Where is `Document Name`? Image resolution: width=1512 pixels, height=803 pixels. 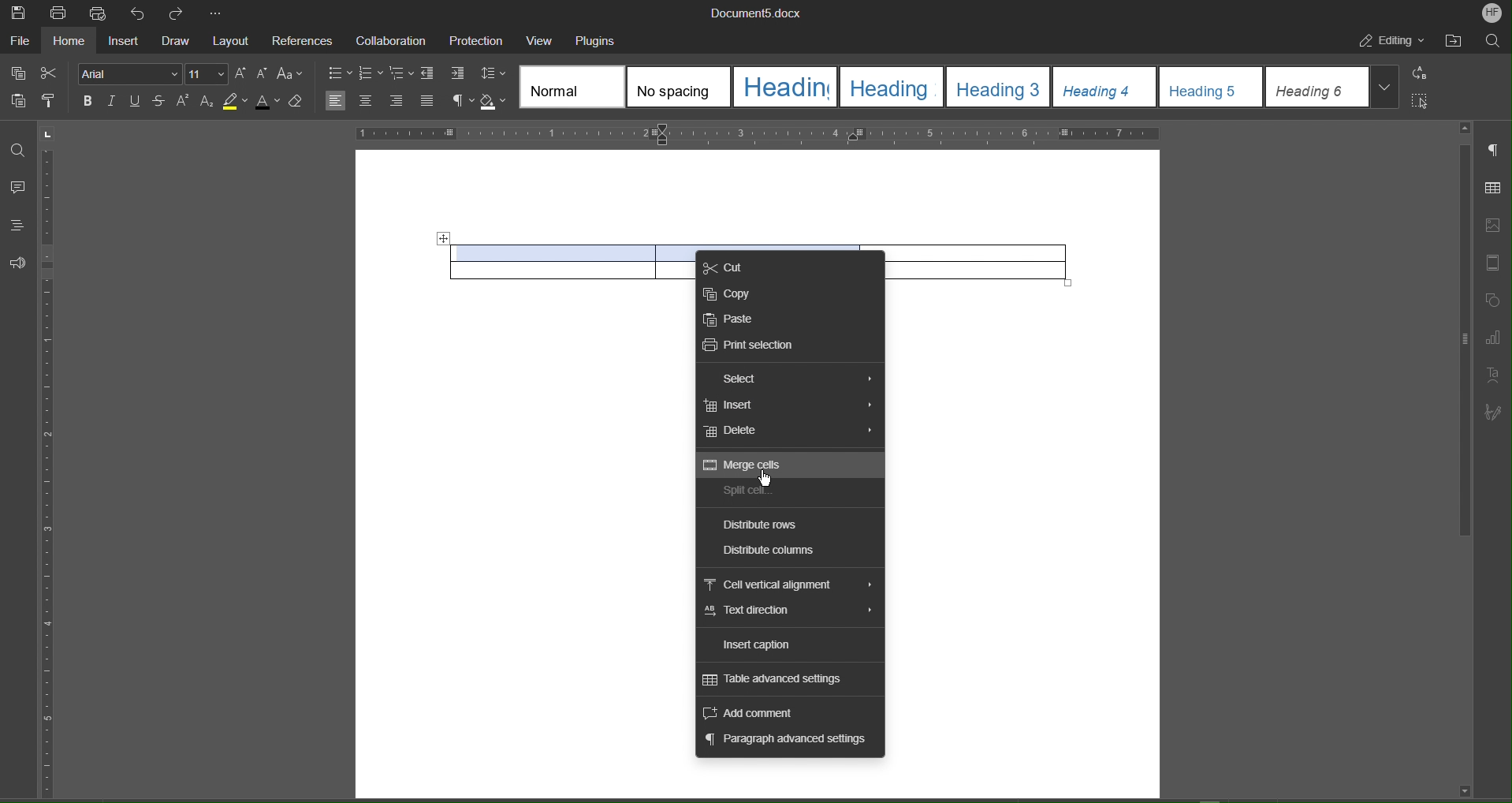 Document Name is located at coordinates (760, 13).